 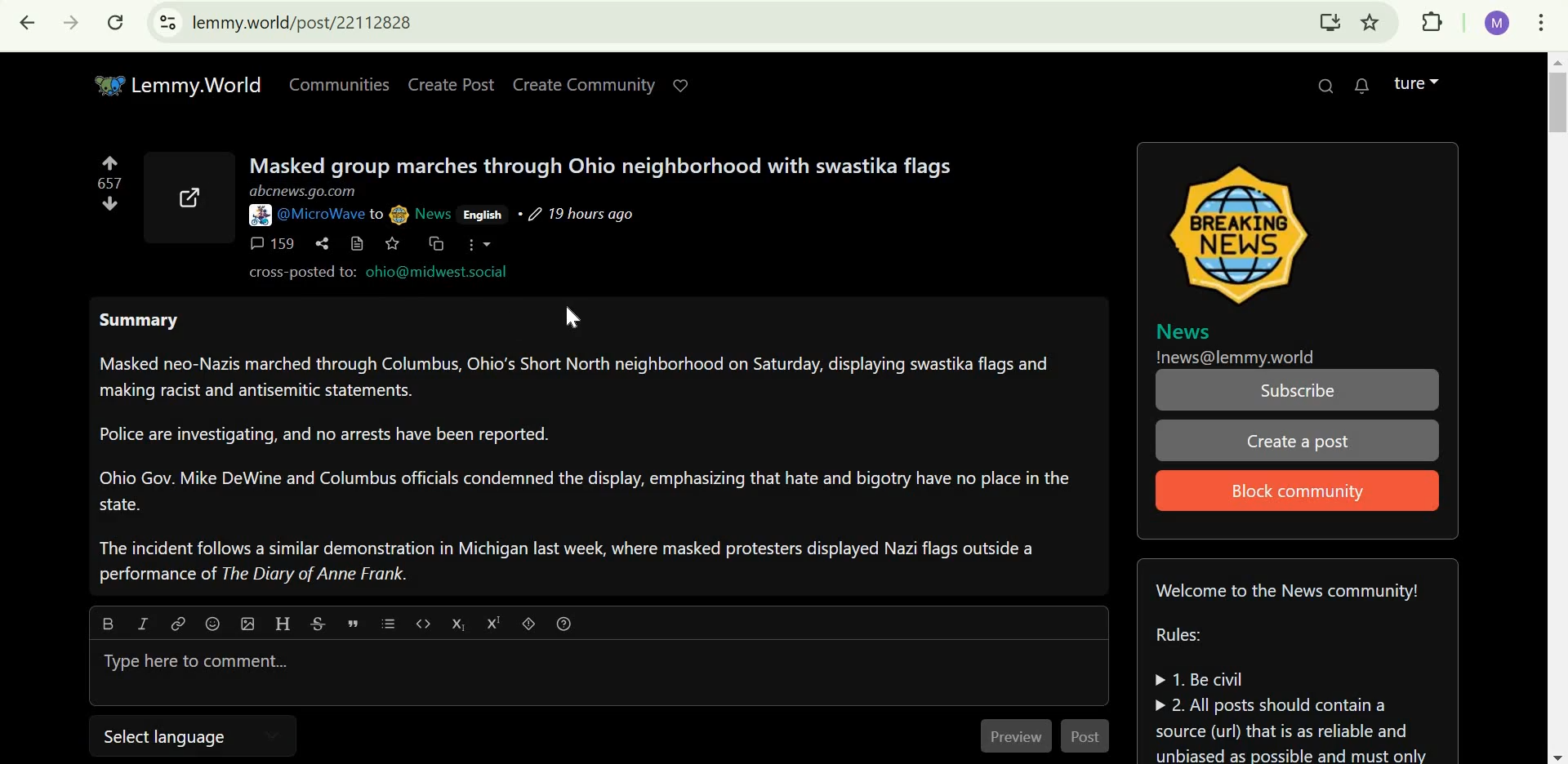 What do you see at coordinates (214, 622) in the screenshot?
I see `emoji` at bounding box center [214, 622].